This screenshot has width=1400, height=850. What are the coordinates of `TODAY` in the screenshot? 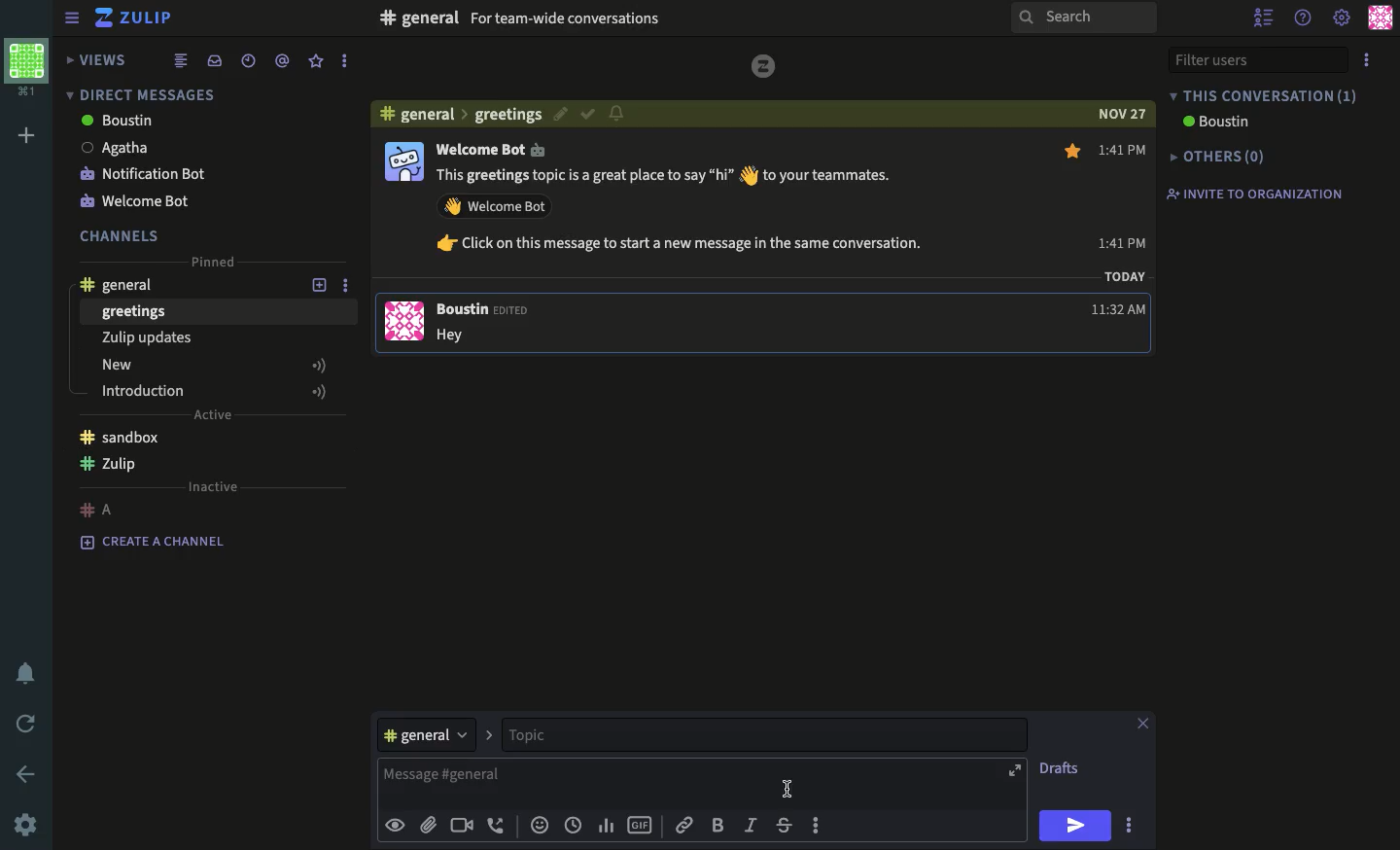 It's located at (1125, 275).